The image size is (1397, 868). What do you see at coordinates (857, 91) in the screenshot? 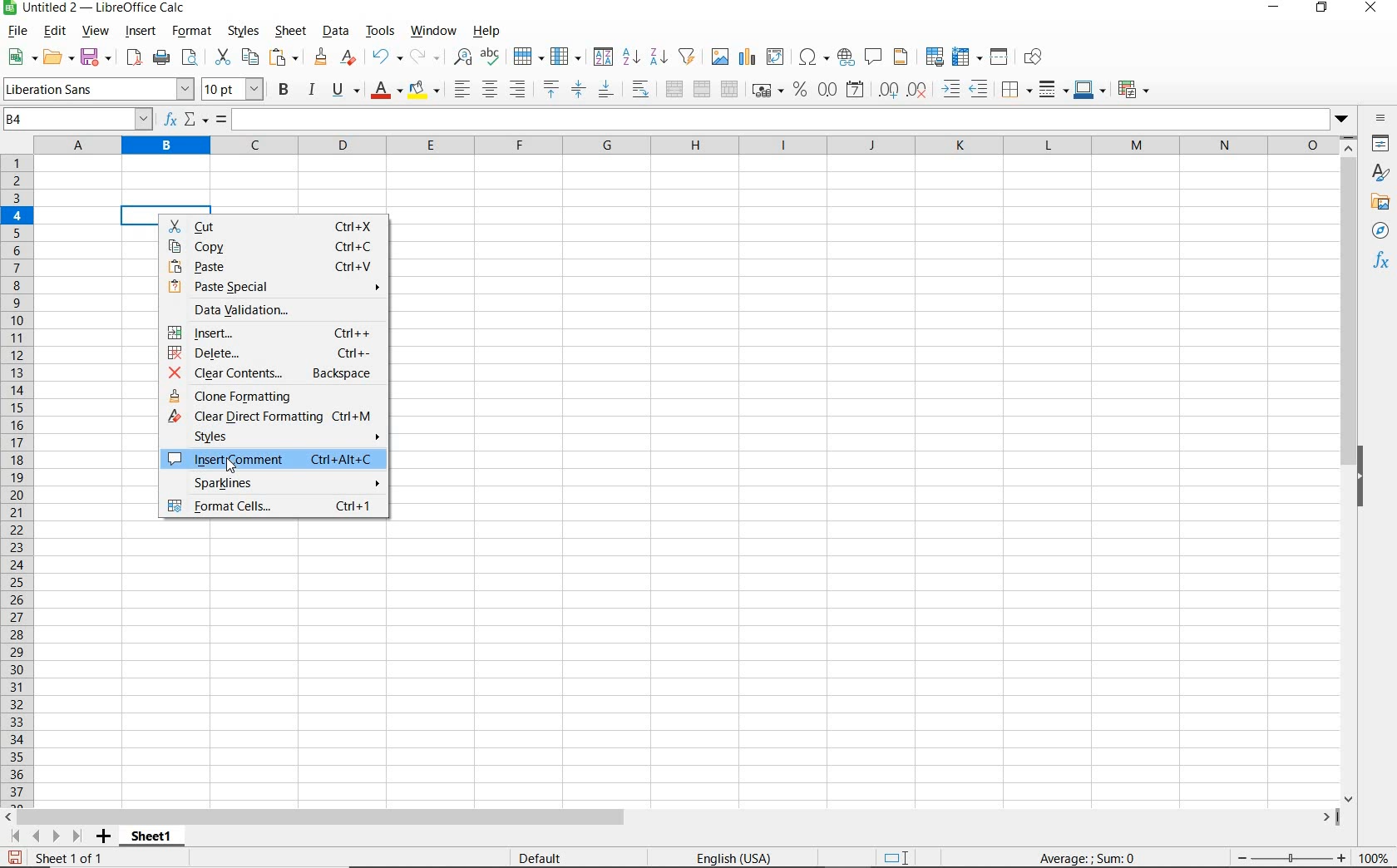
I see `format as date` at bounding box center [857, 91].